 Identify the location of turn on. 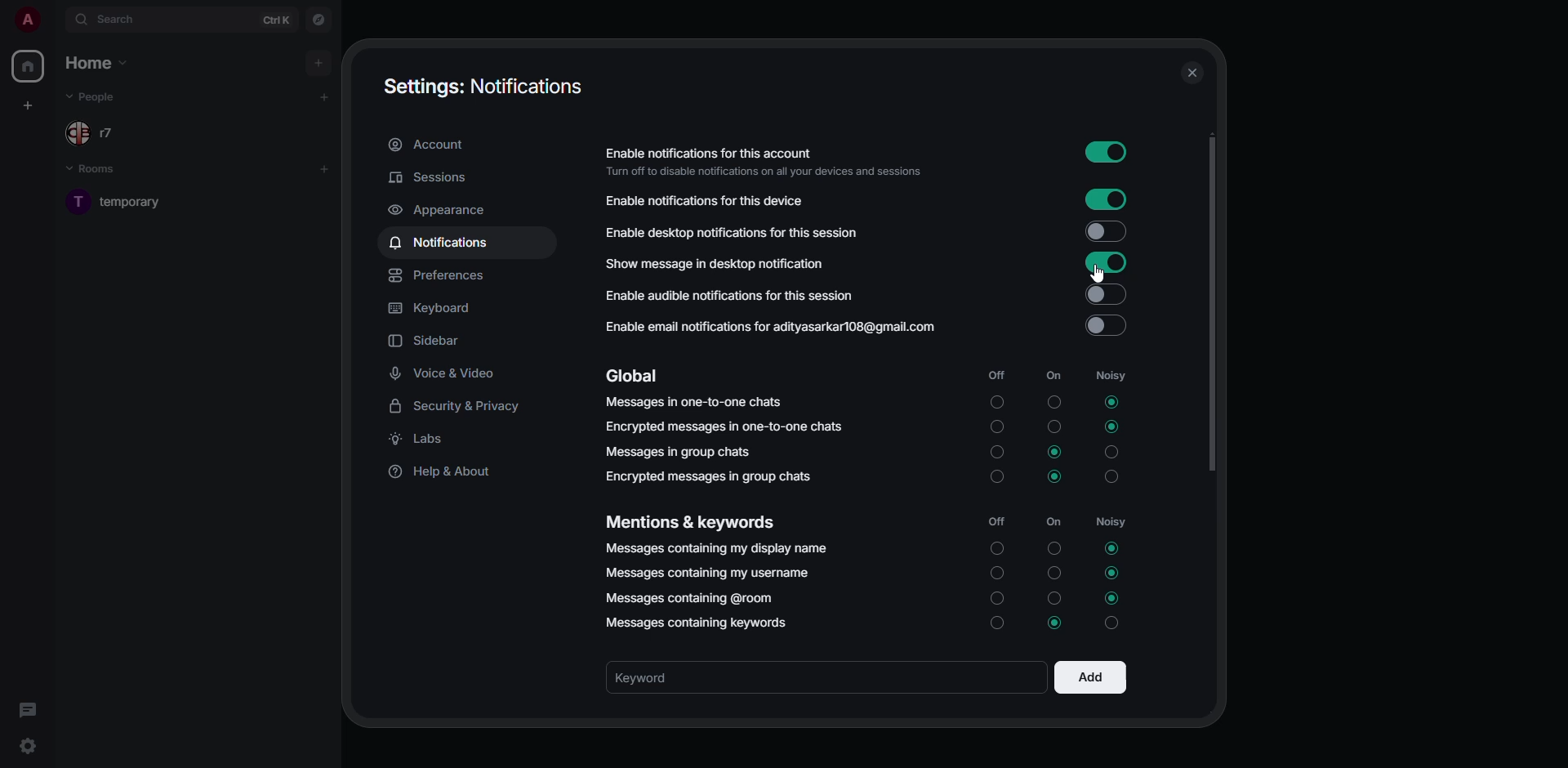
(996, 426).